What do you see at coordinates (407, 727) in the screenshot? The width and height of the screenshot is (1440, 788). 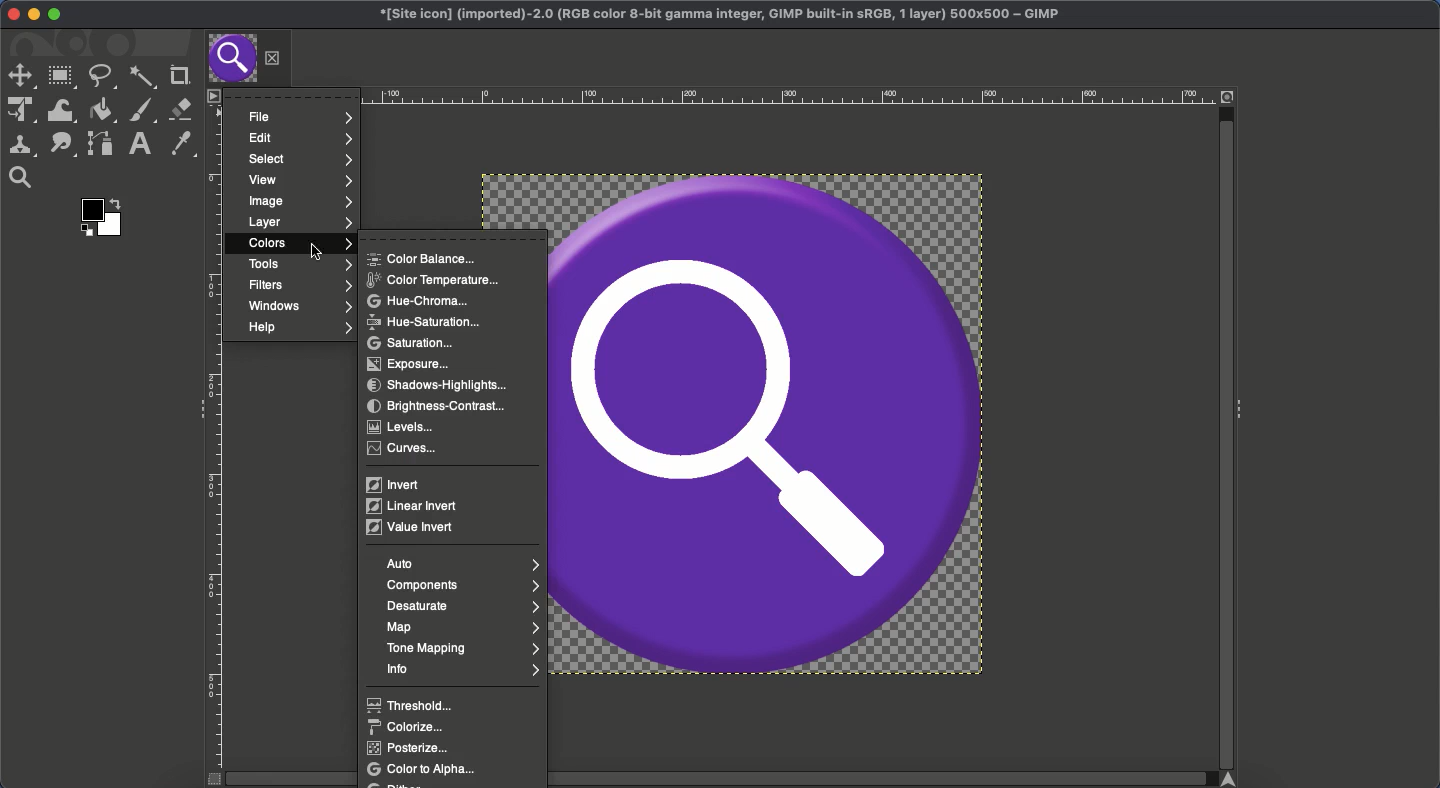 I see `Colorize` at bounding box center [407, 727].